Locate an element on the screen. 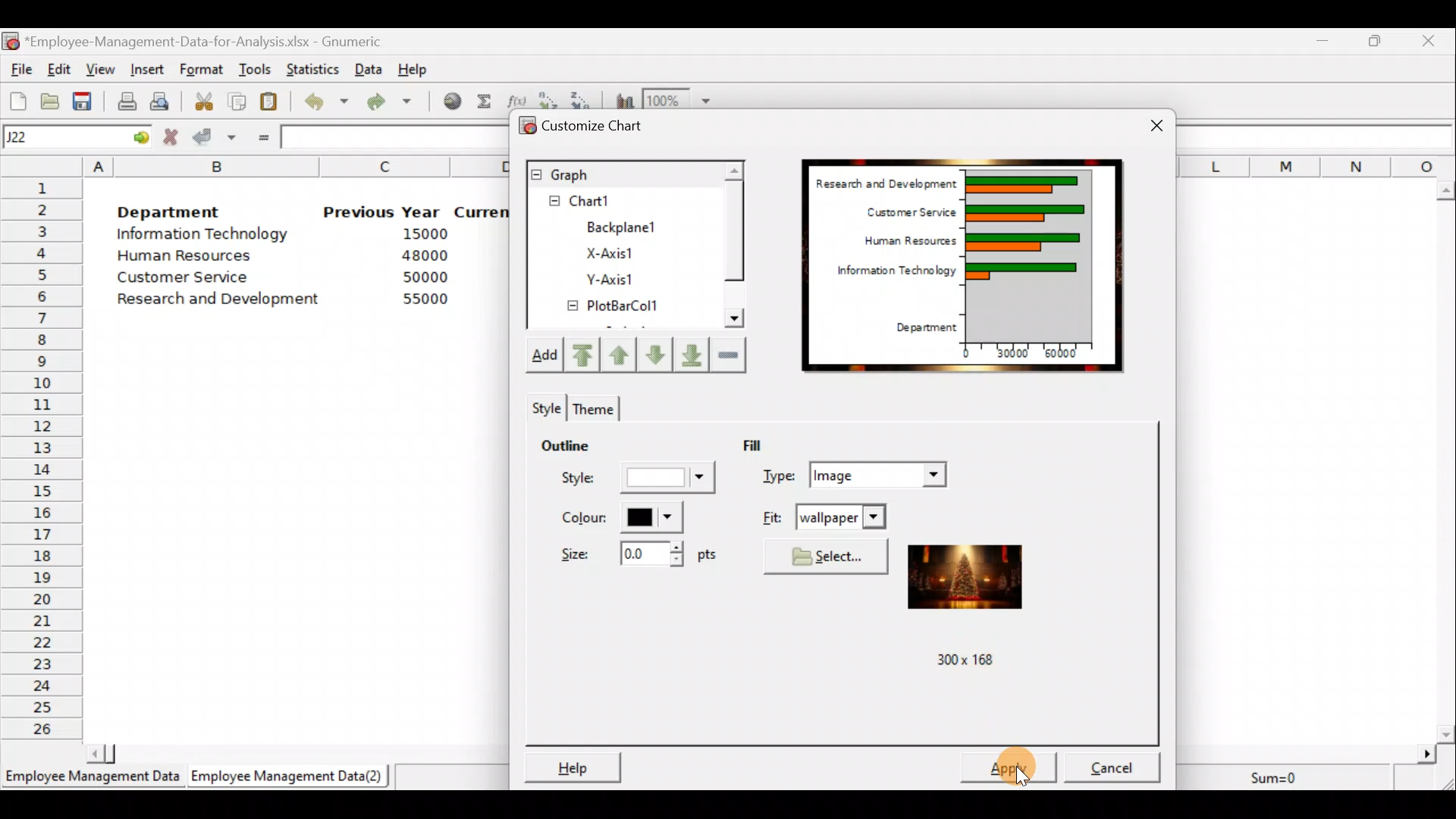 This screenshot has height=819, width=1456. 300x 168 is located at coordinates (960, 657).